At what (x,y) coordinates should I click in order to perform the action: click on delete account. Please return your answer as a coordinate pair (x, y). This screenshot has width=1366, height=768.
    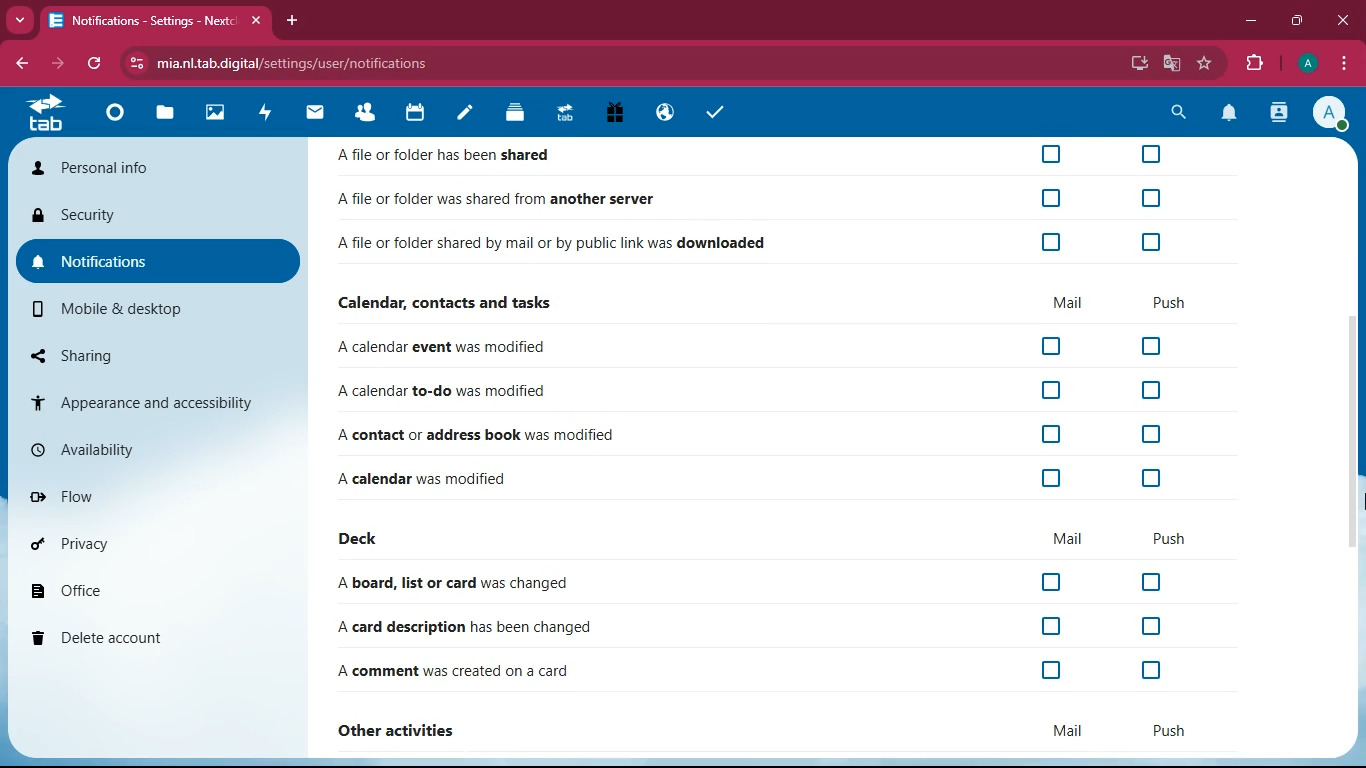
    Looking at the image, I should click on (153, 640).